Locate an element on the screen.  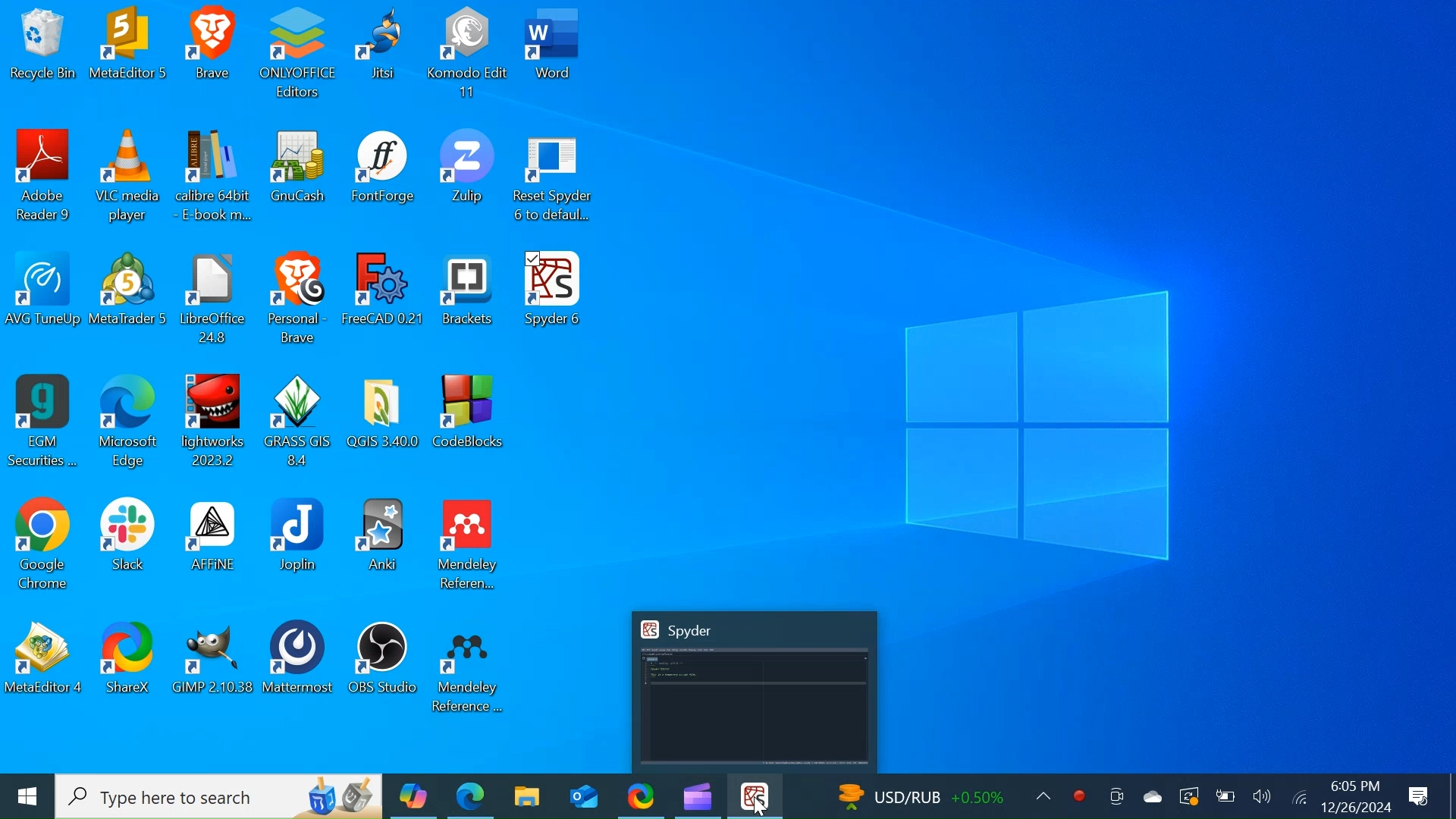
Cursor is located at coordinates (758, 809).